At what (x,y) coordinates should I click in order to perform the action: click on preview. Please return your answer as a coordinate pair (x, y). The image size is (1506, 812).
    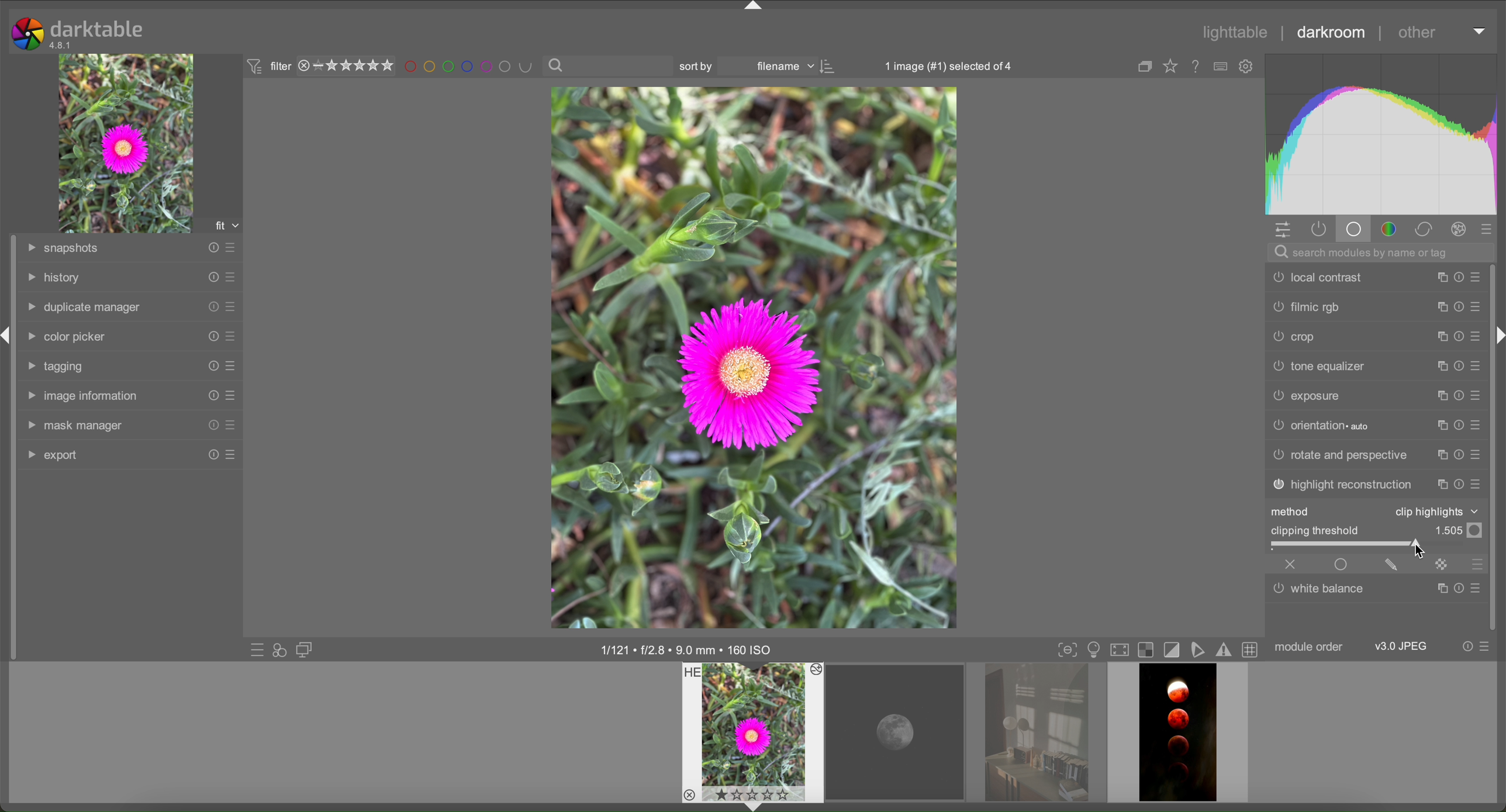
    Looking at the image, I should click on (754, 732).